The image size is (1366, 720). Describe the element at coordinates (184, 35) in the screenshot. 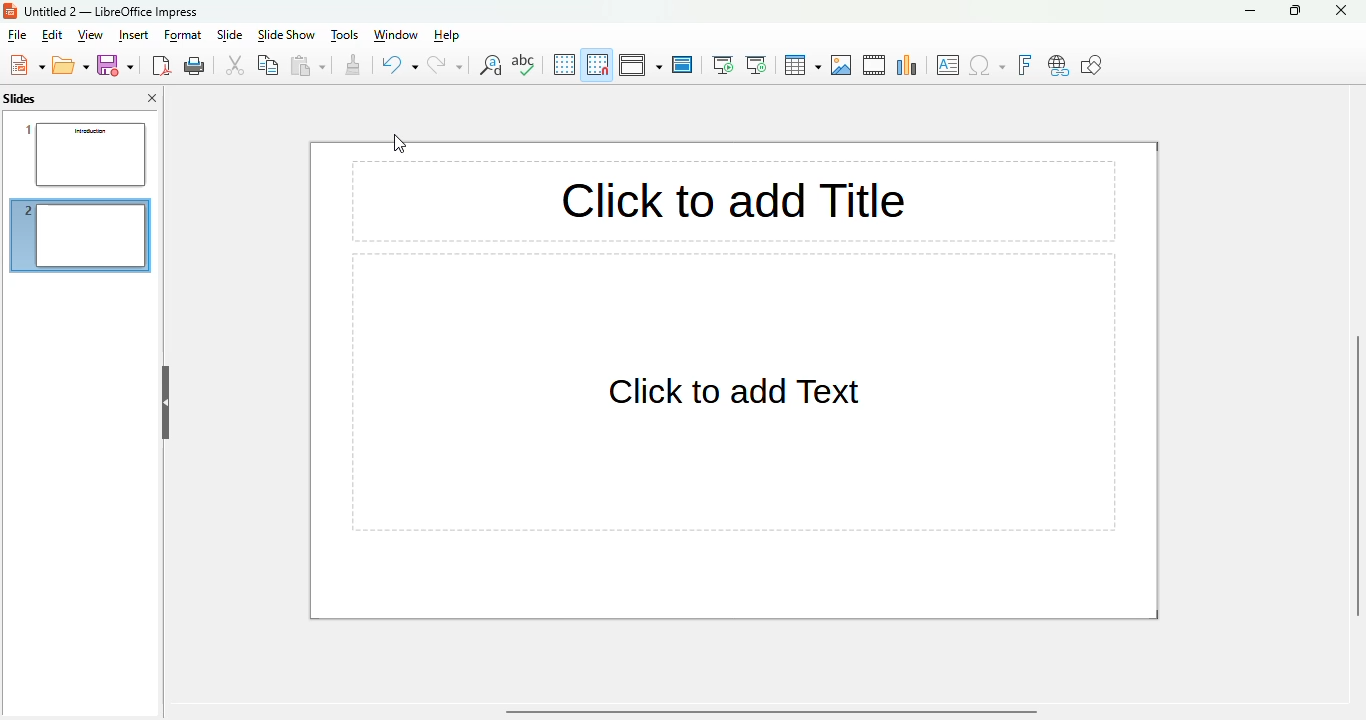

I see `format` at that location.